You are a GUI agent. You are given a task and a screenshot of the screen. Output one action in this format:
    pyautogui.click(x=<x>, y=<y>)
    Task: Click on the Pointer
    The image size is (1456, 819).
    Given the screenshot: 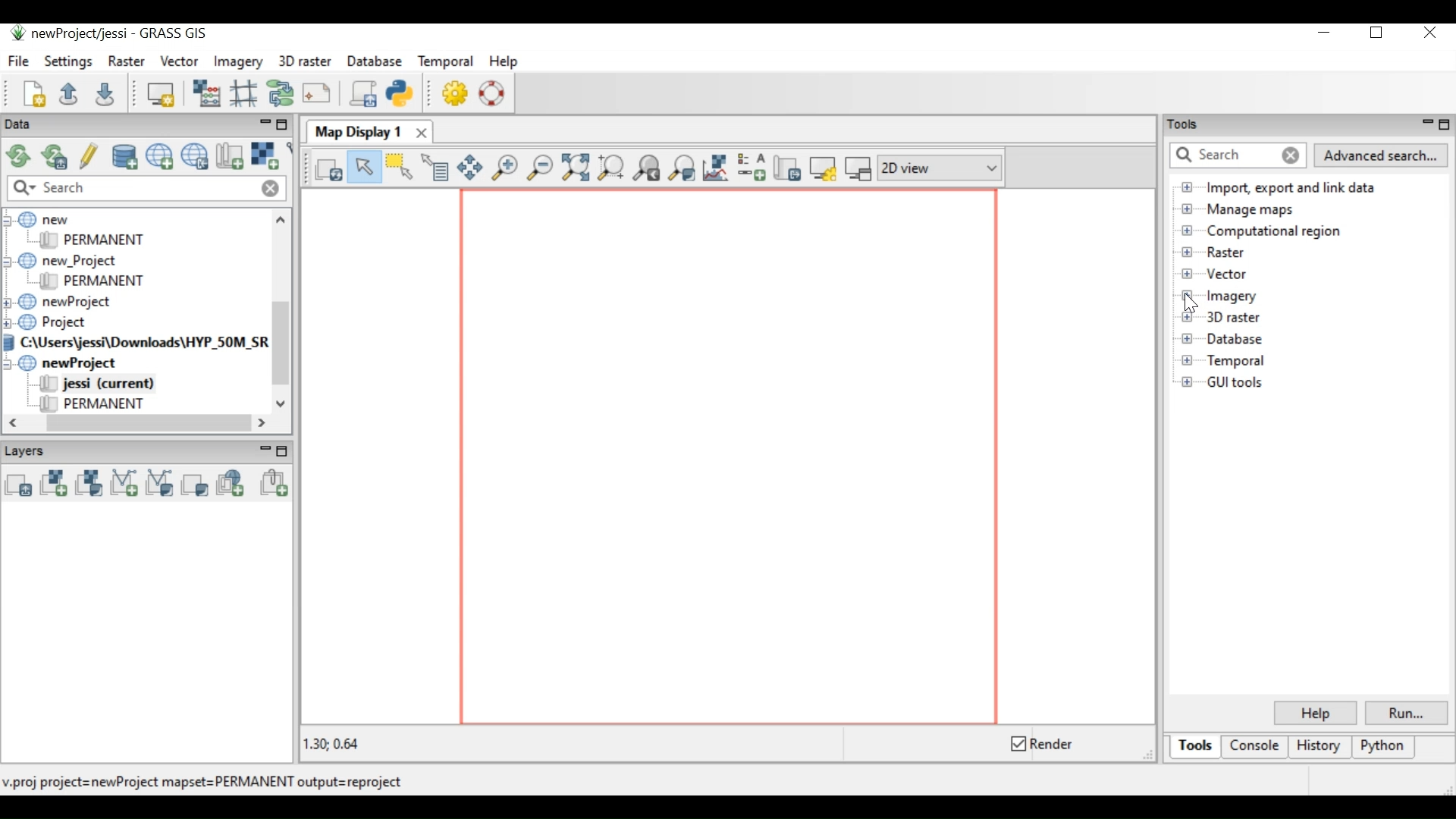 What is the action you would take?
    pyautogui.click(x=362, y=167)
    